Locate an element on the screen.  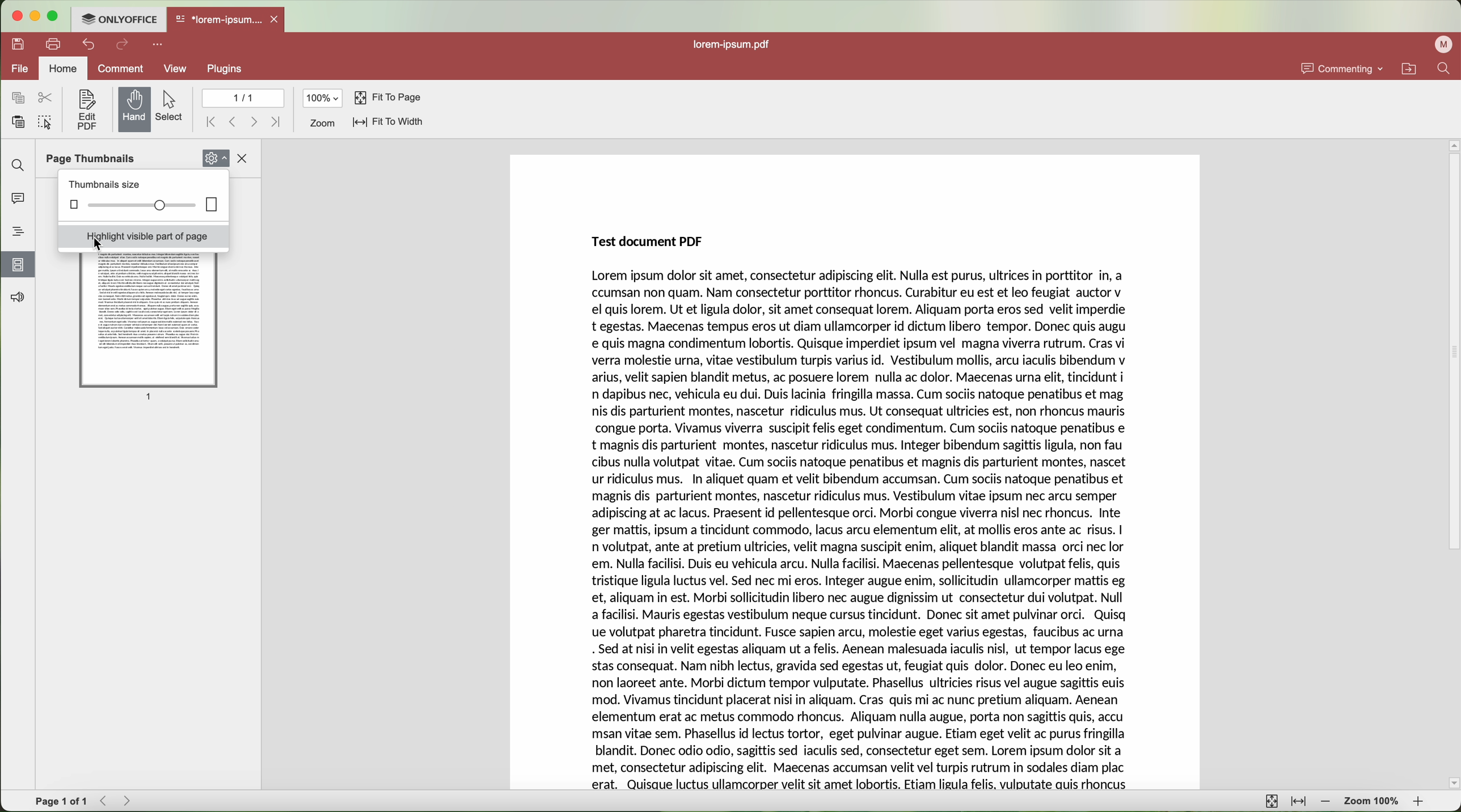
profile is located at coordinates (1443, 45).